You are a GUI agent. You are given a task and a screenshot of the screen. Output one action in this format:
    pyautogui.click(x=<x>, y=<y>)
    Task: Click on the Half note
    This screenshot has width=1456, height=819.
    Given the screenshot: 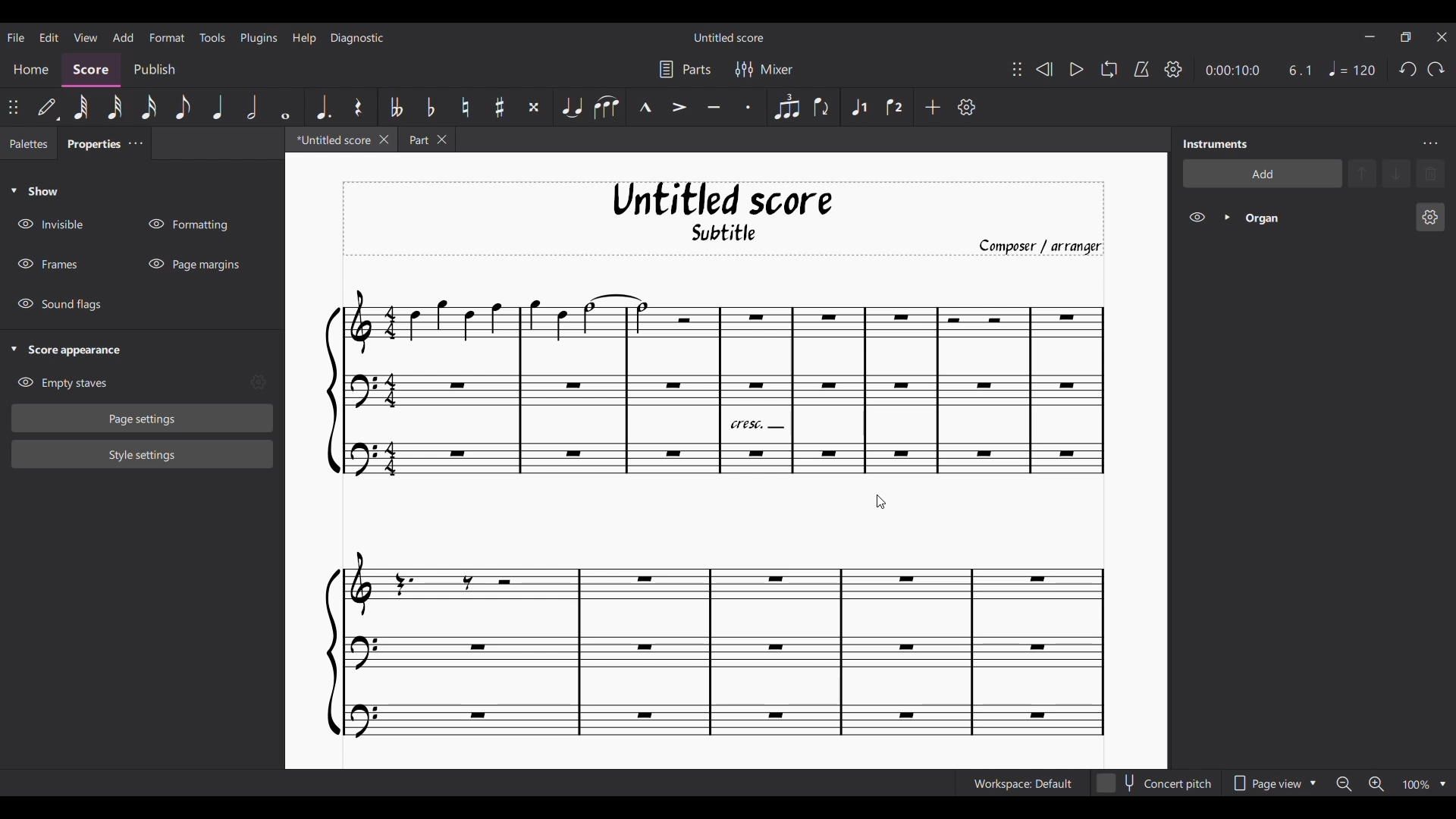 What is the action you would take?
    pyautogui.click(x=252, y=107)
    